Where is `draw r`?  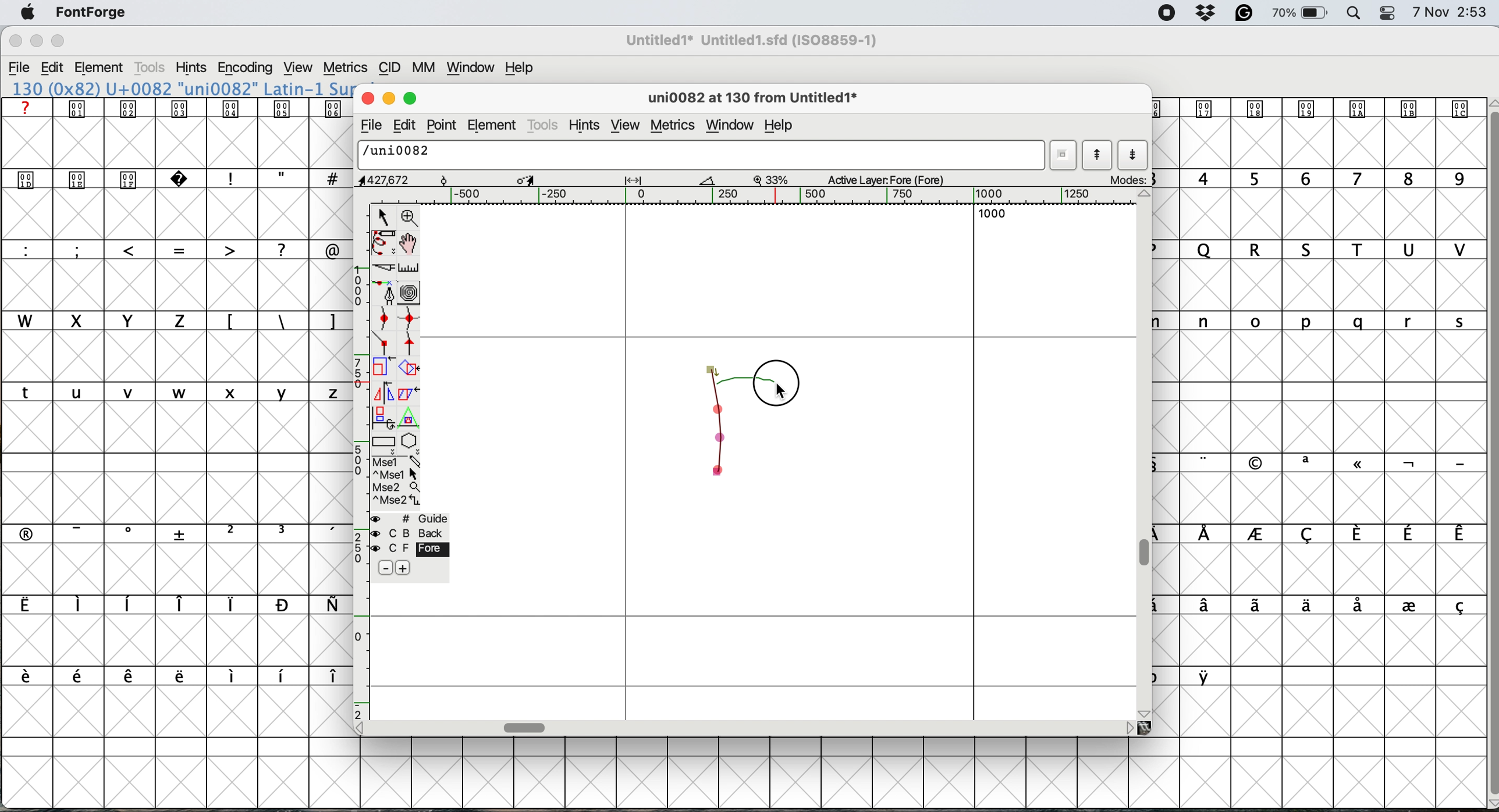 draw r is located at coordinates (730, 378).